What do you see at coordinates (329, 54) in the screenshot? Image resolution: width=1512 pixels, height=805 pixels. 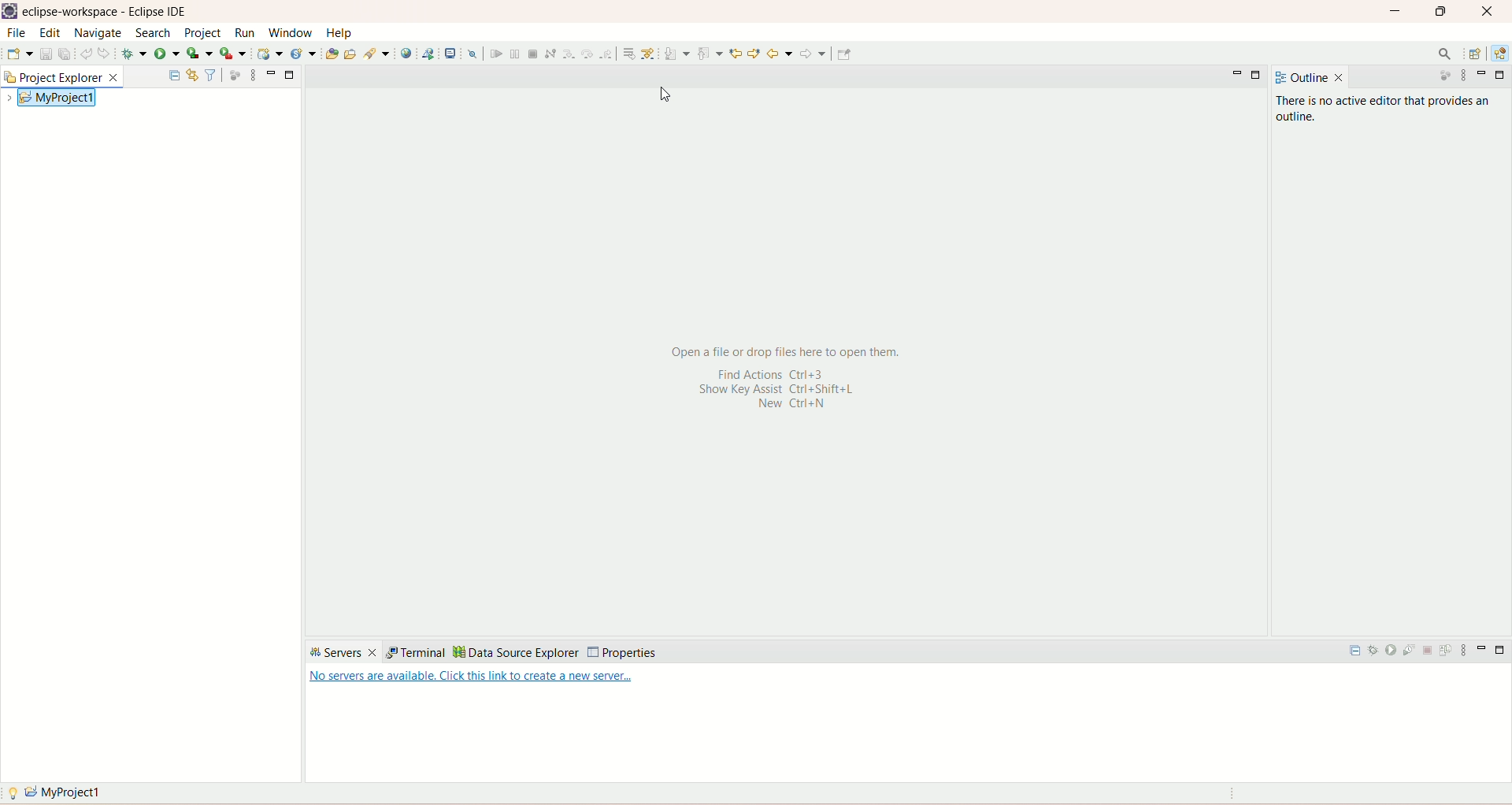 I see `open type` at bounding box center [329, 54].